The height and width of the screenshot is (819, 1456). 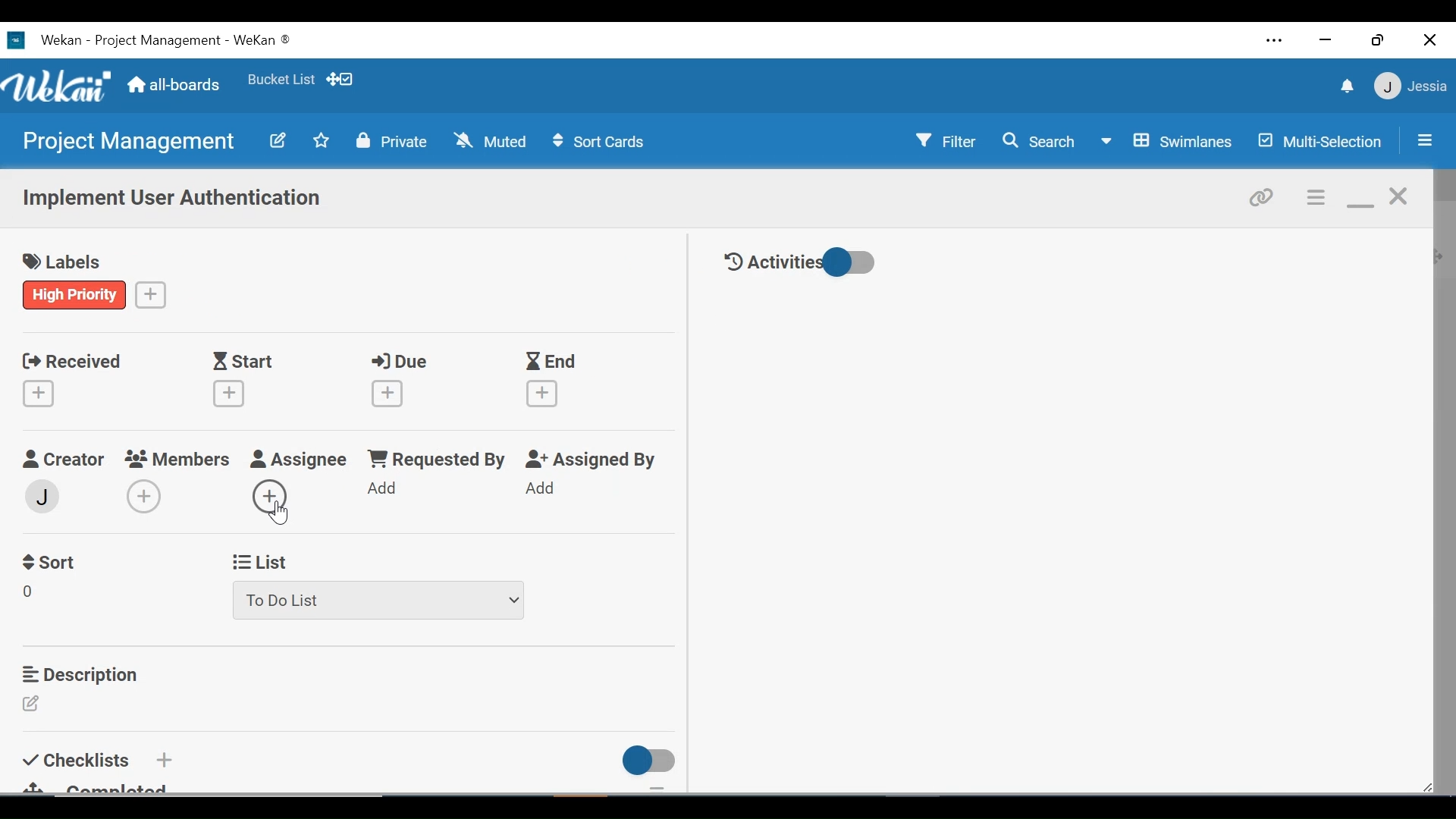 What do you see at coordinates (644, 761) in the screenshot?
I see `Taggle on /off` at bounding box center [644, 761].